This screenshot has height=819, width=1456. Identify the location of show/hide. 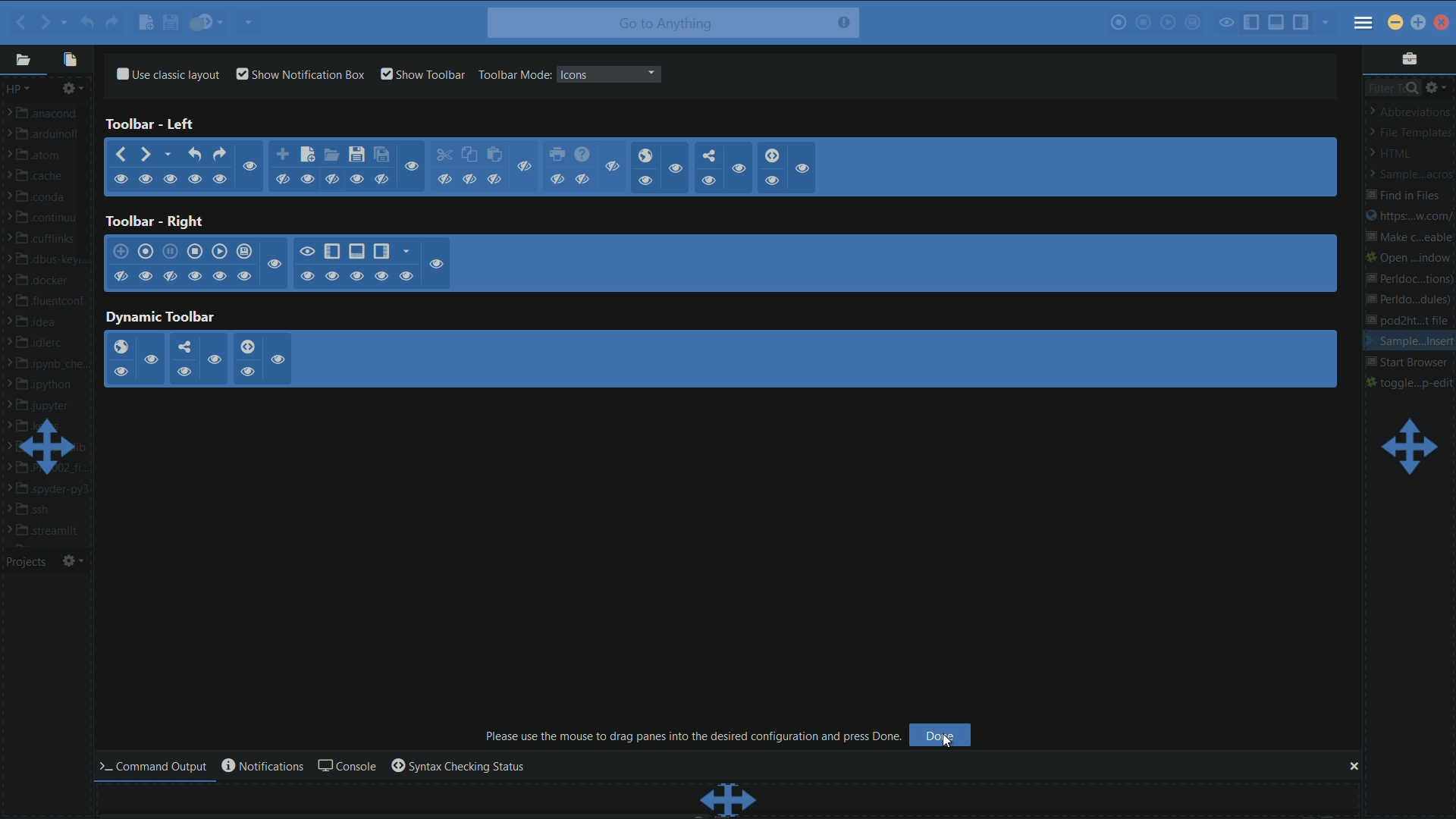
(413, 166).